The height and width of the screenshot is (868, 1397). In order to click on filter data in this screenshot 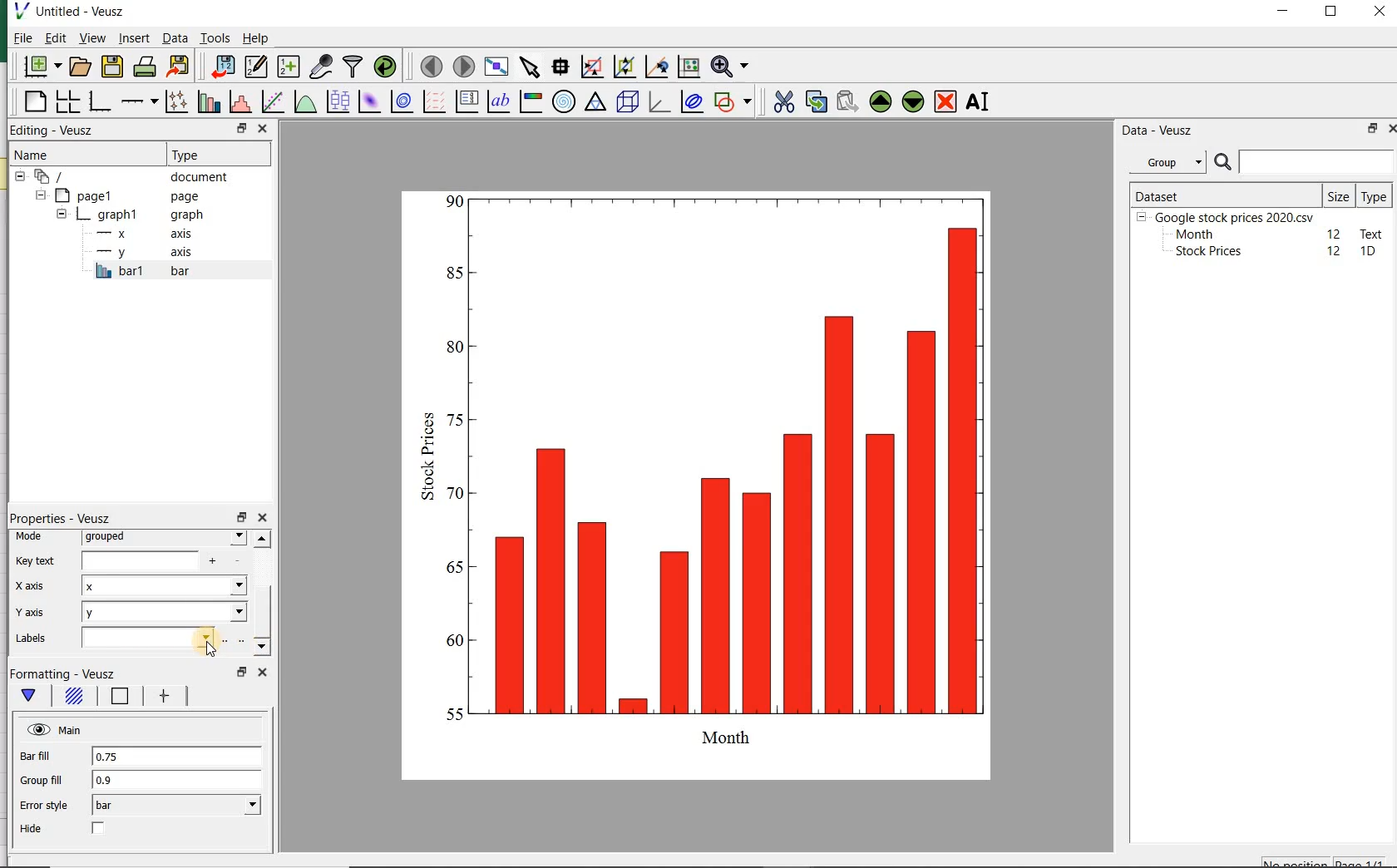, I will do `click(353, 66)`.